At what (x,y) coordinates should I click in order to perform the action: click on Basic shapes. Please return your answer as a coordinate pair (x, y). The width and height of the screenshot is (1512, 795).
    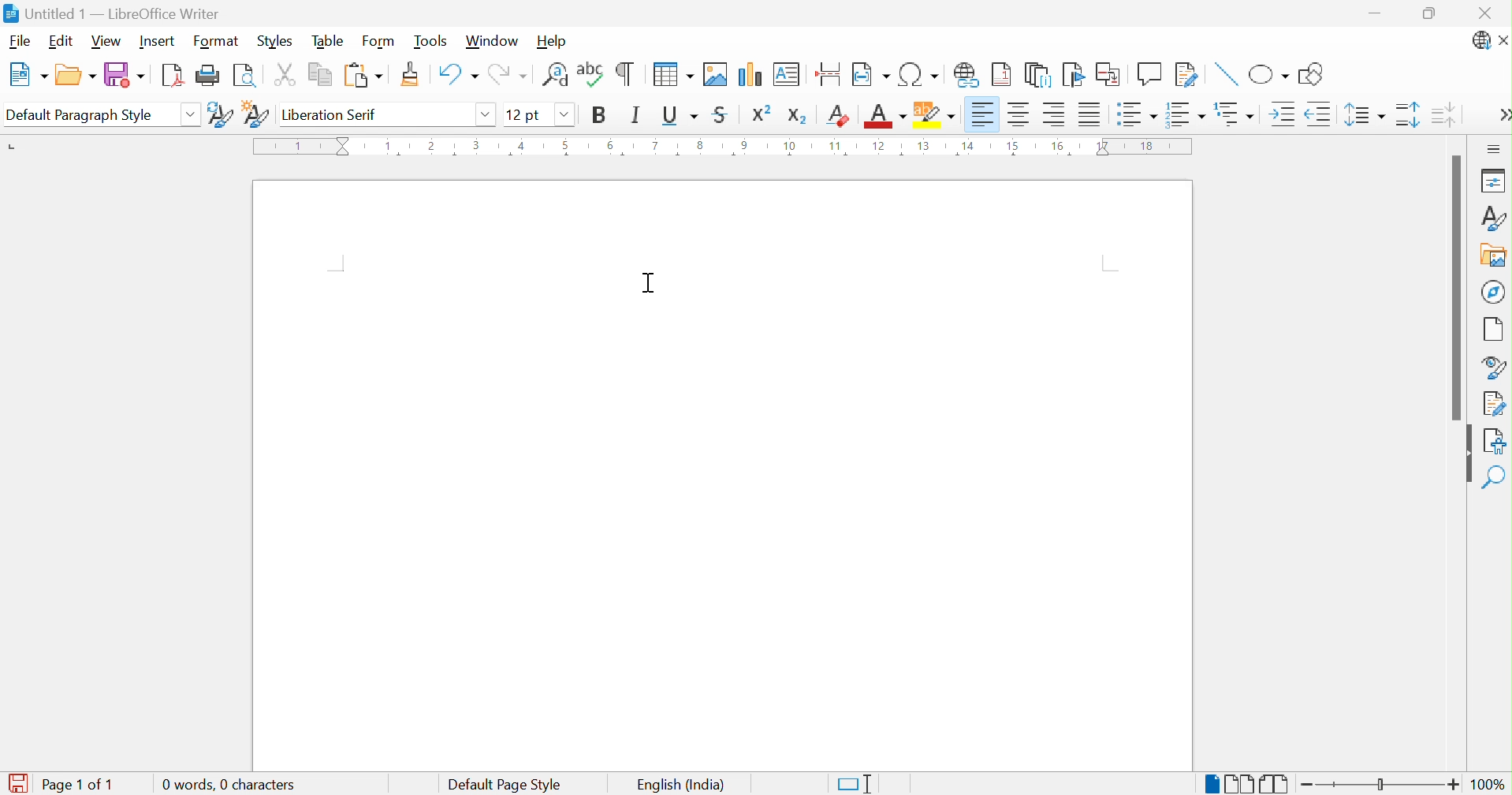
    Looking at the image, I should click on (1271, 75).